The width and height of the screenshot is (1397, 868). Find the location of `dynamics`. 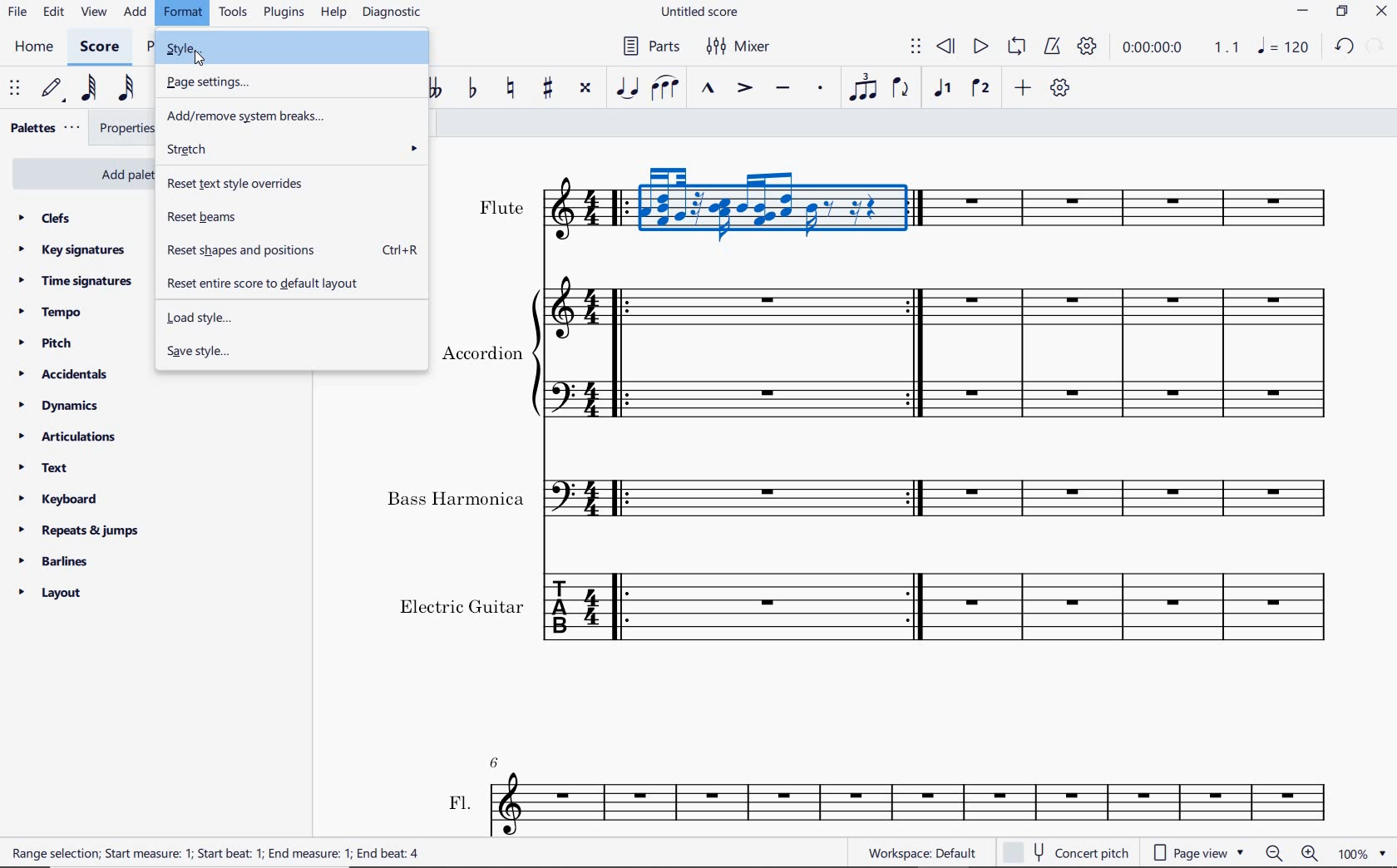

dynamics is located at coordinates (61, 405).